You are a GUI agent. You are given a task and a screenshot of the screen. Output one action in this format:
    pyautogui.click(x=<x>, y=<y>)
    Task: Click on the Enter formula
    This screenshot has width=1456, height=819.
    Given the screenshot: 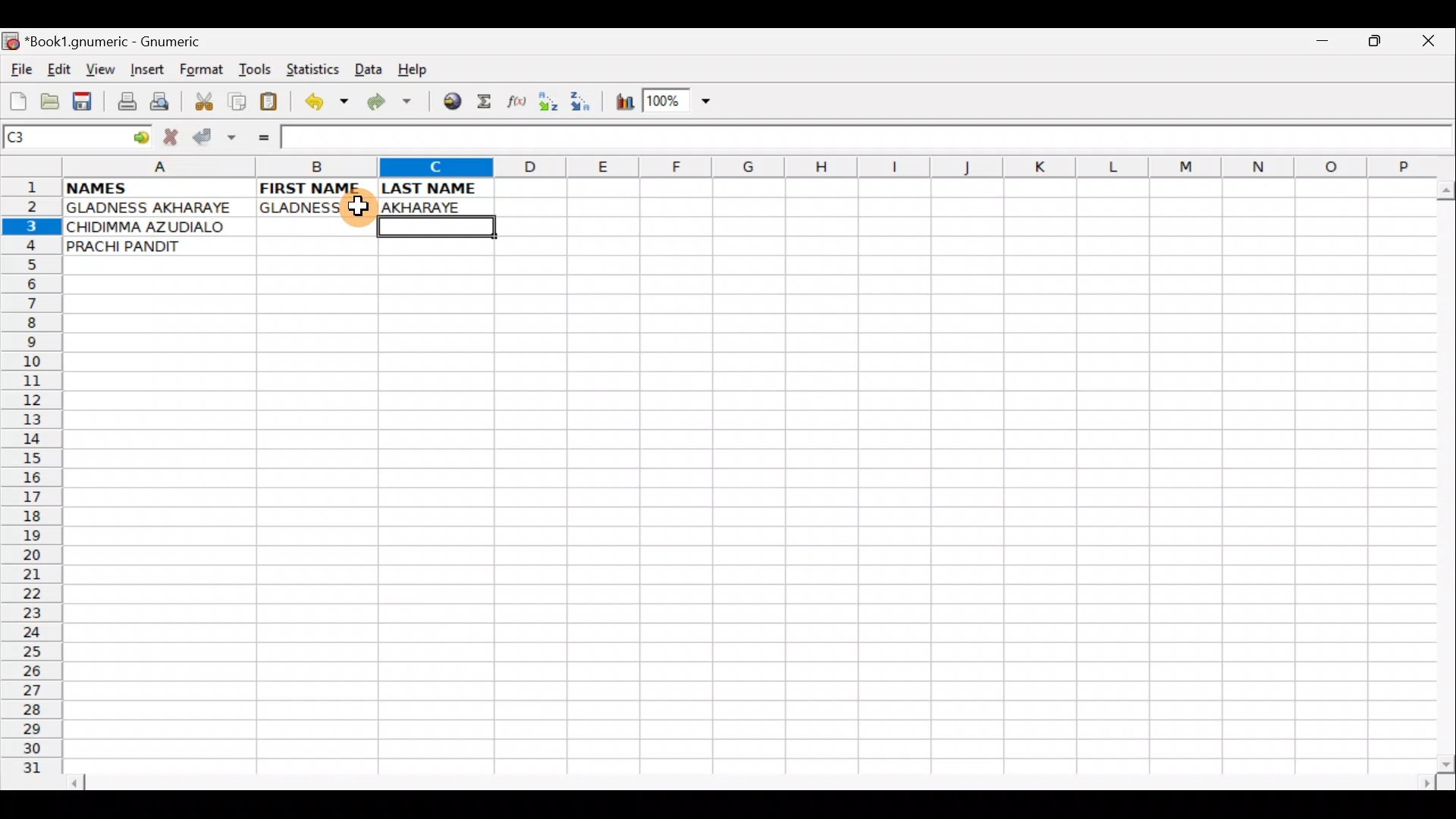 What is the action you would take?
    pyautogui.click(x=256, y=137)
    